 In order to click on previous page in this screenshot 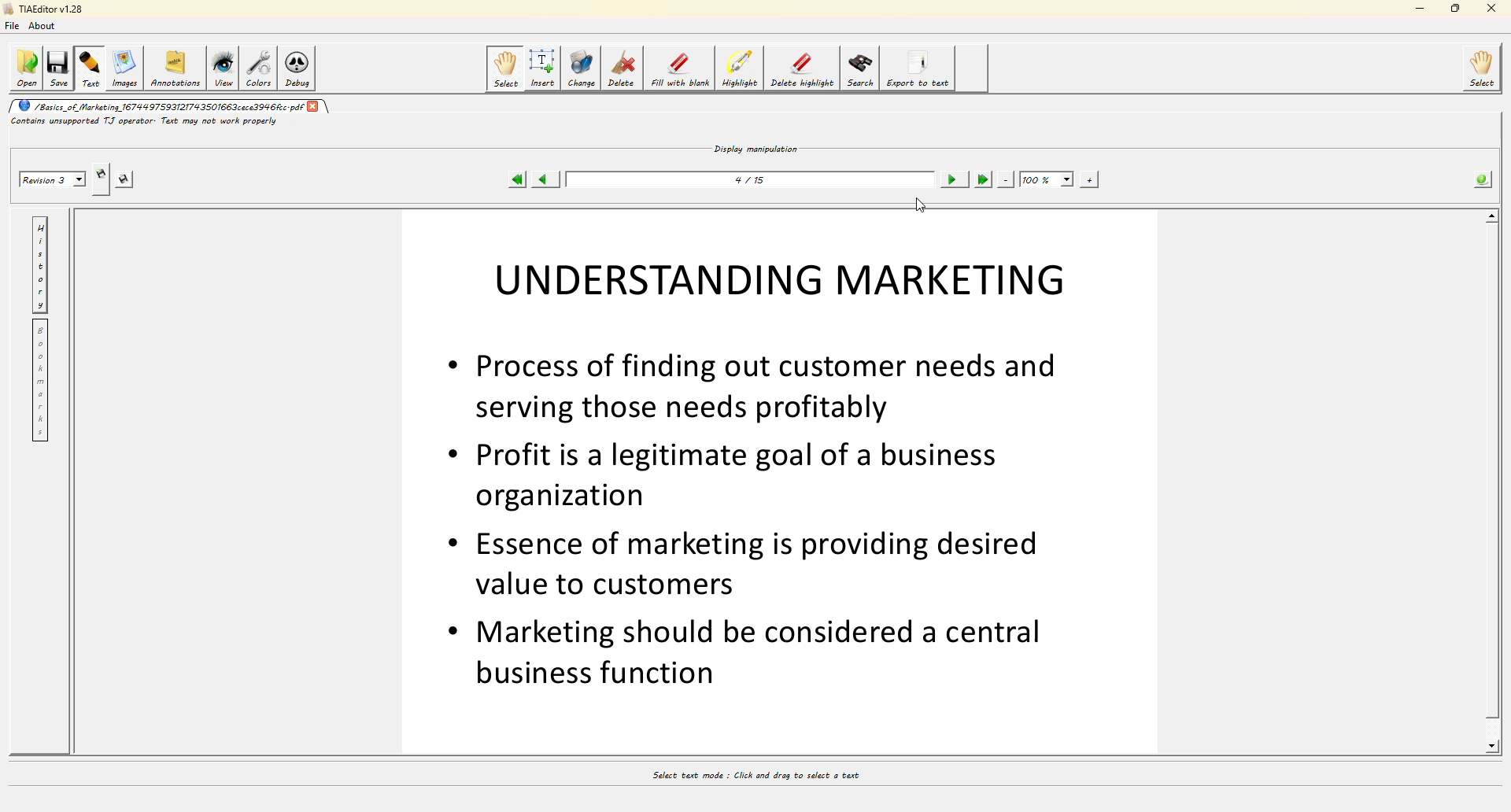, I will do `click(546, 179)`.